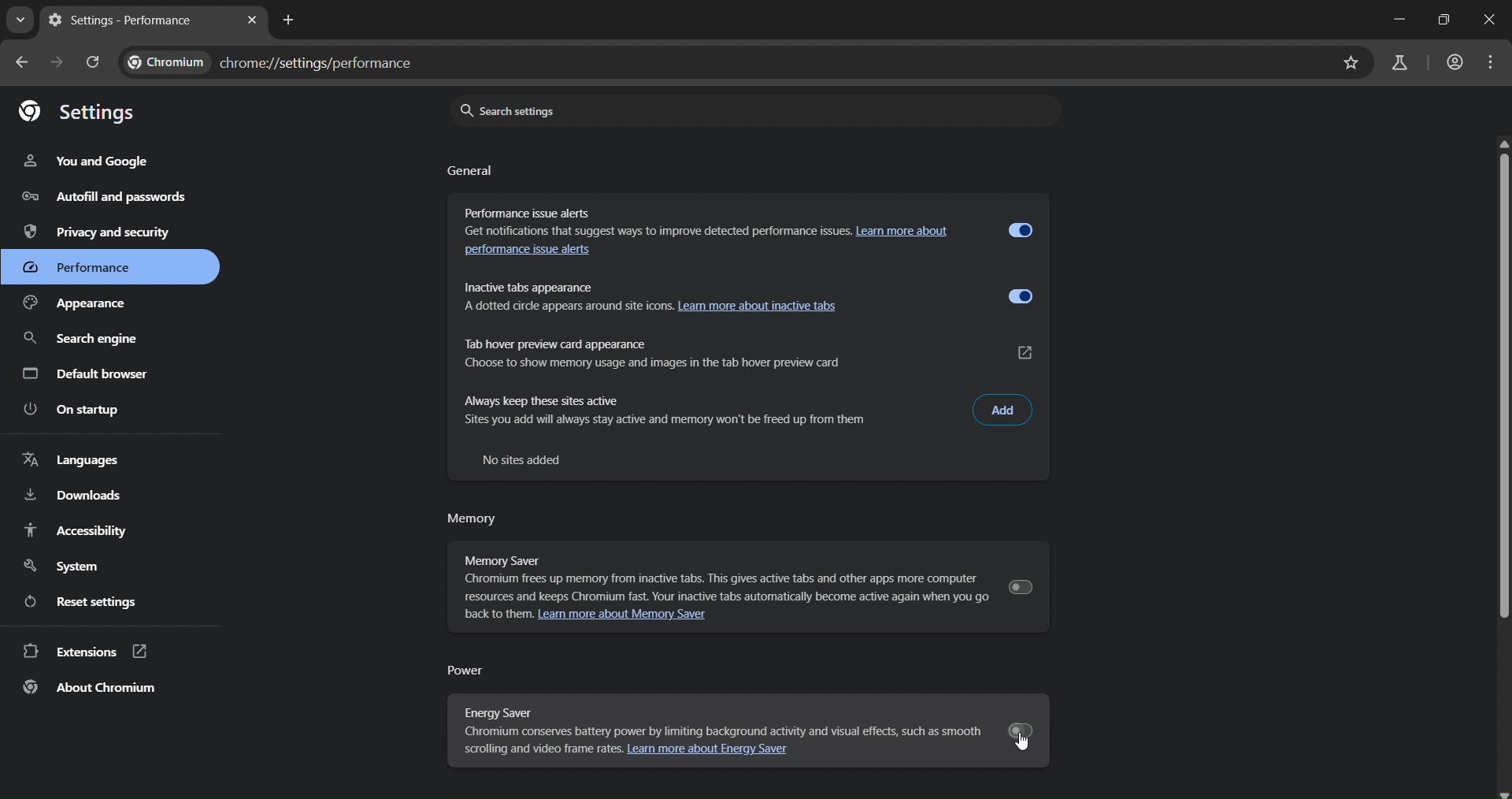  What do you see at coordinates (1503, 380) in the screenshot?
I see `slidebar` at bounding box center [1503, 380].